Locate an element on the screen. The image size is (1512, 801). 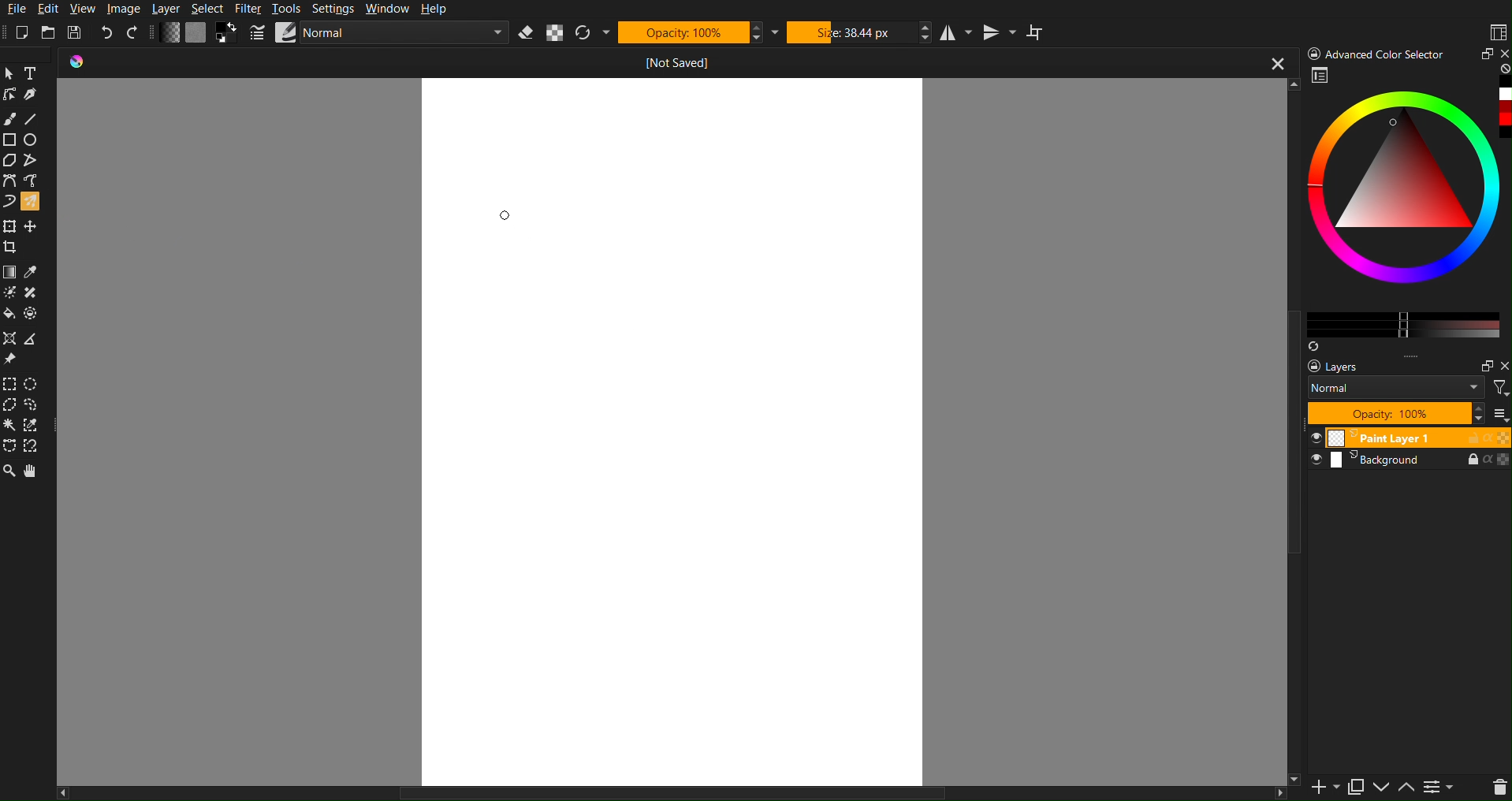
Free hand path tool is located at coordinates (31, 180).